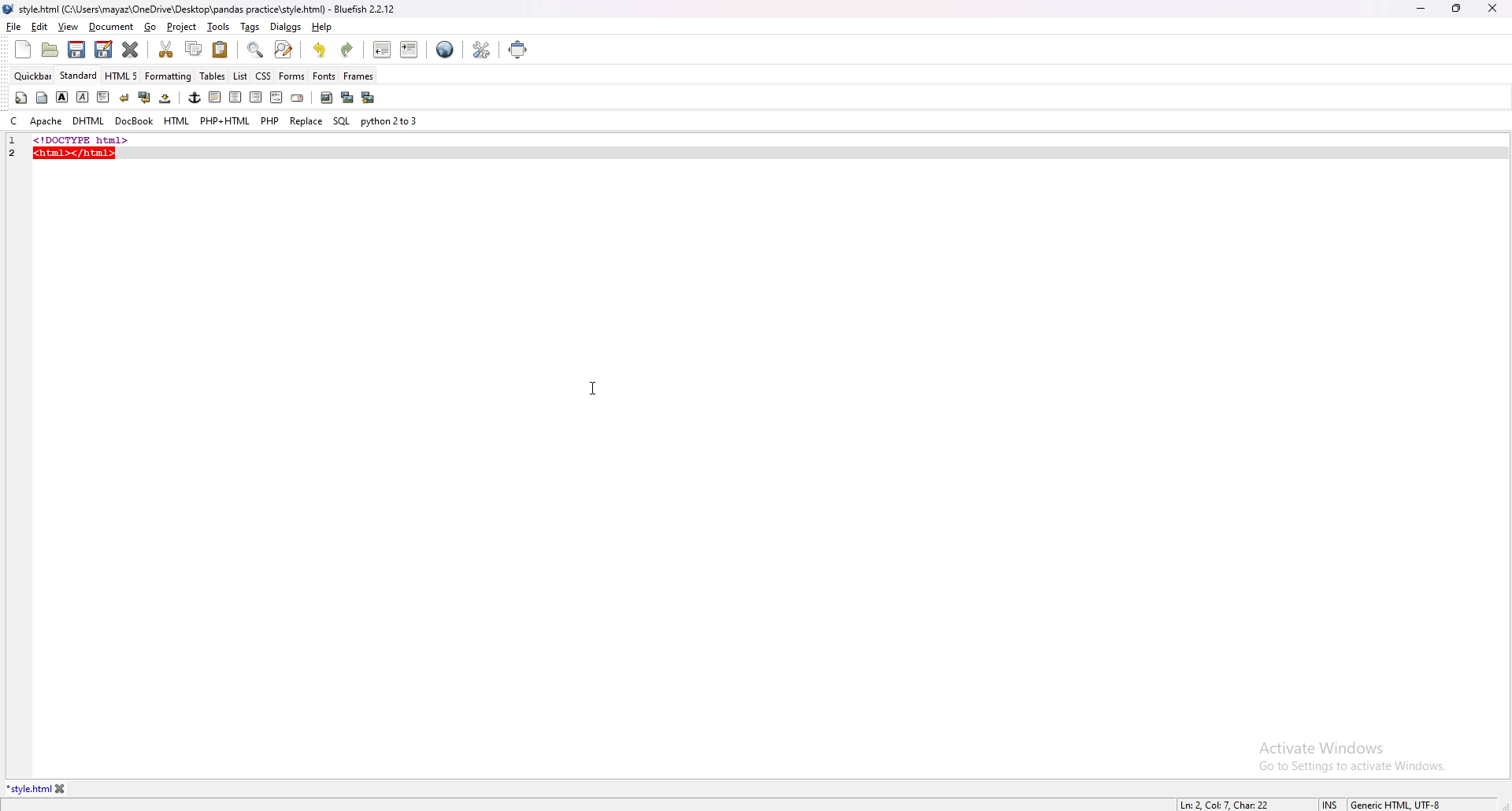 The height and width of the screenshot is (811, 1512). What do you see at coordinates (264, 75) in the screenshot?
I see `css` at bounding box center [264, 75].